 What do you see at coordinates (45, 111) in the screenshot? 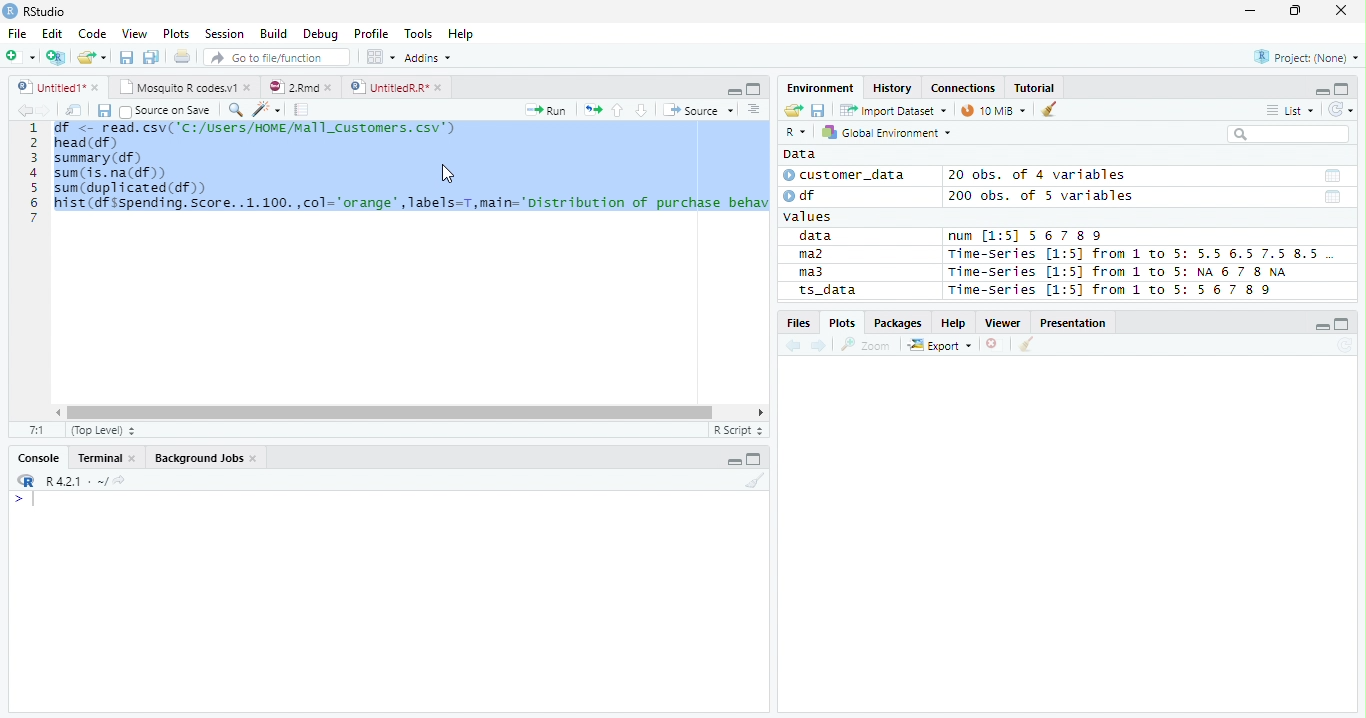
I see `Next` at bounding box center [45, 111].